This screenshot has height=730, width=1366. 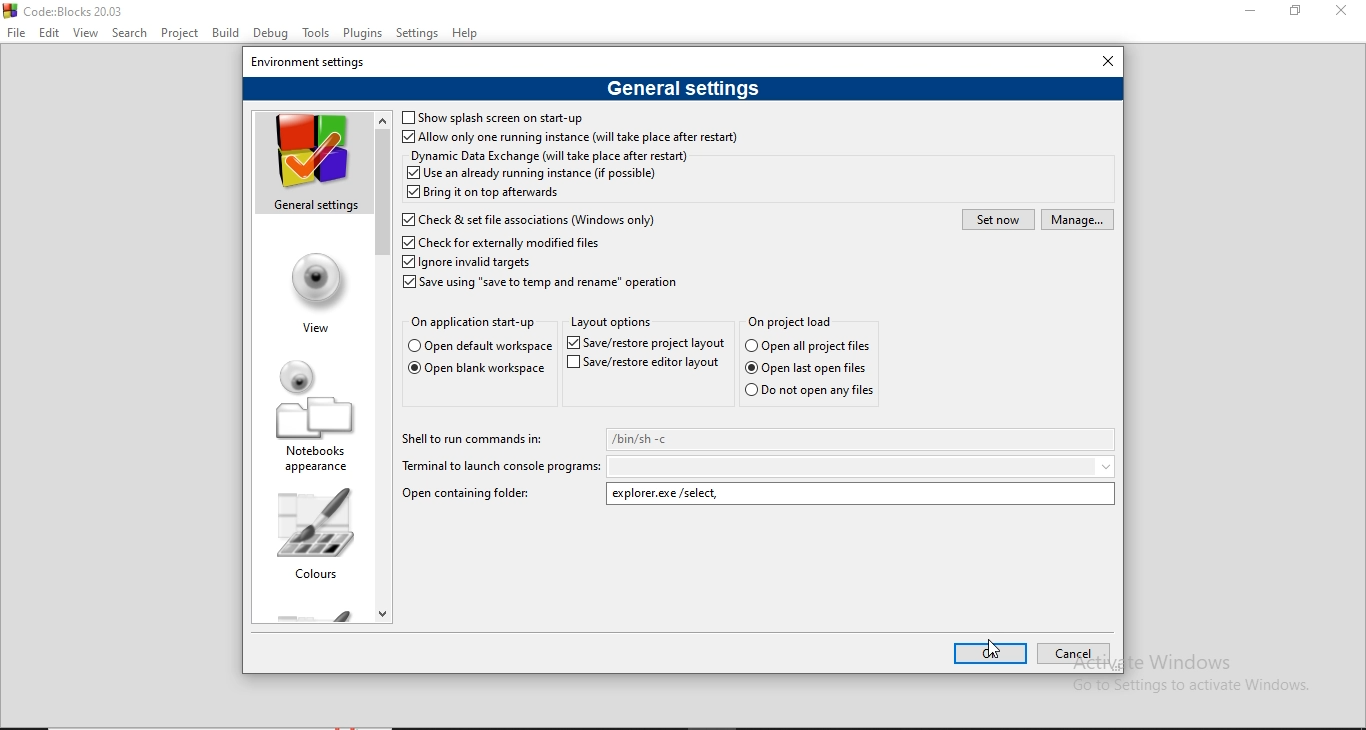 What do you see at coordinates (417, 33) in the screenshot?
I see `Settings ` at bounding box center [417, 33].